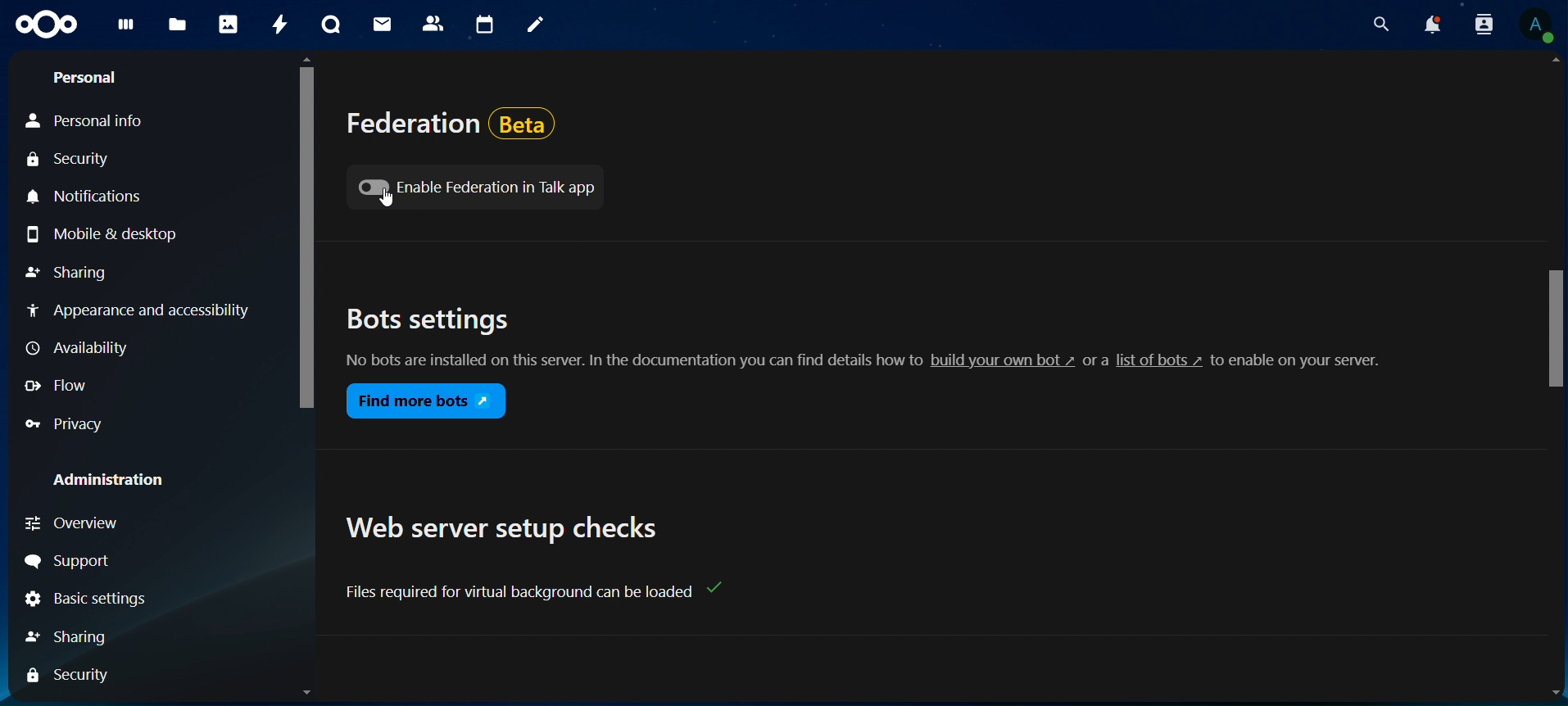  I want to click on Security, so click(69, 678).